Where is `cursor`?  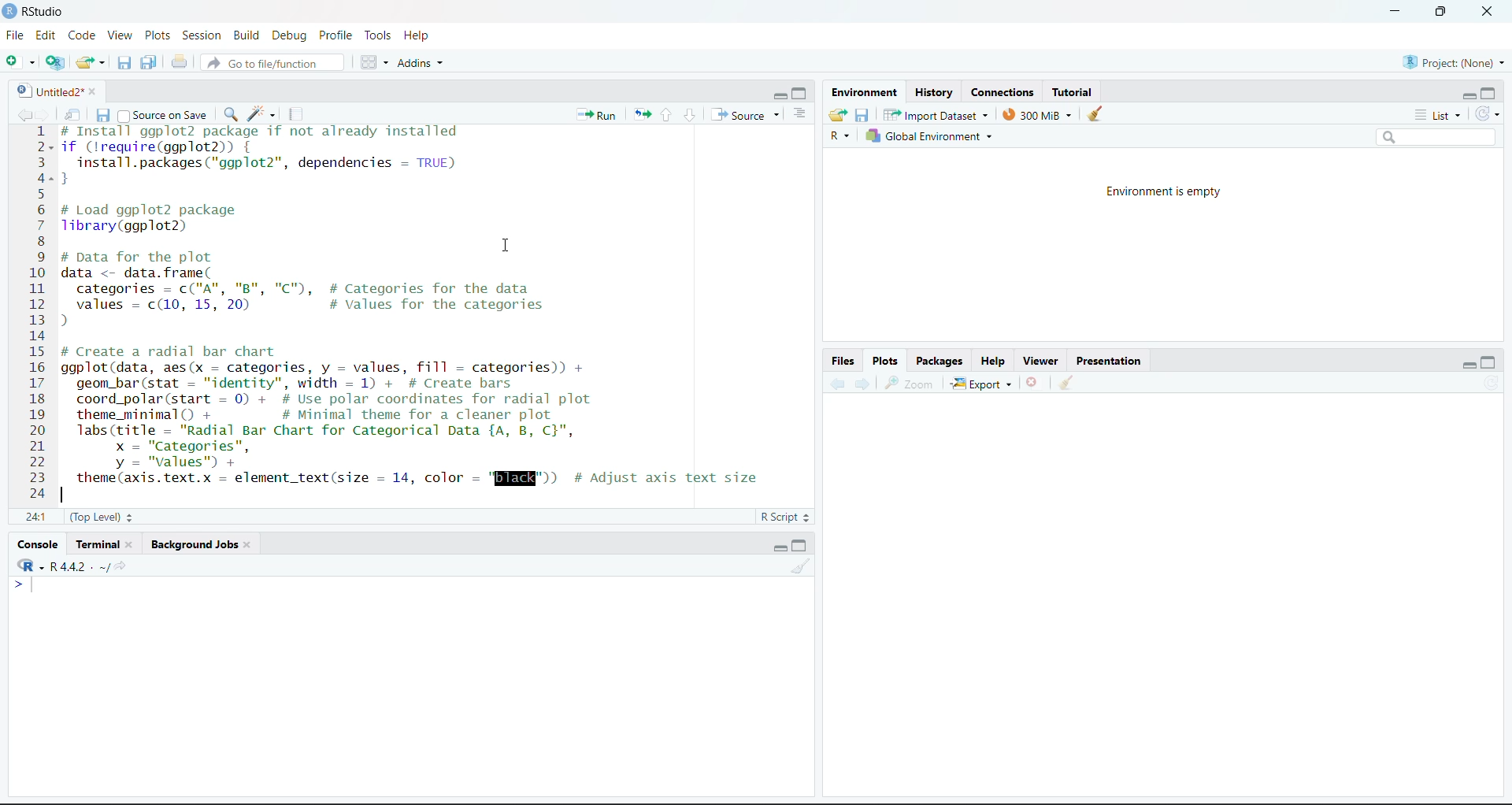 cursor is located at coordinates (504, 246).